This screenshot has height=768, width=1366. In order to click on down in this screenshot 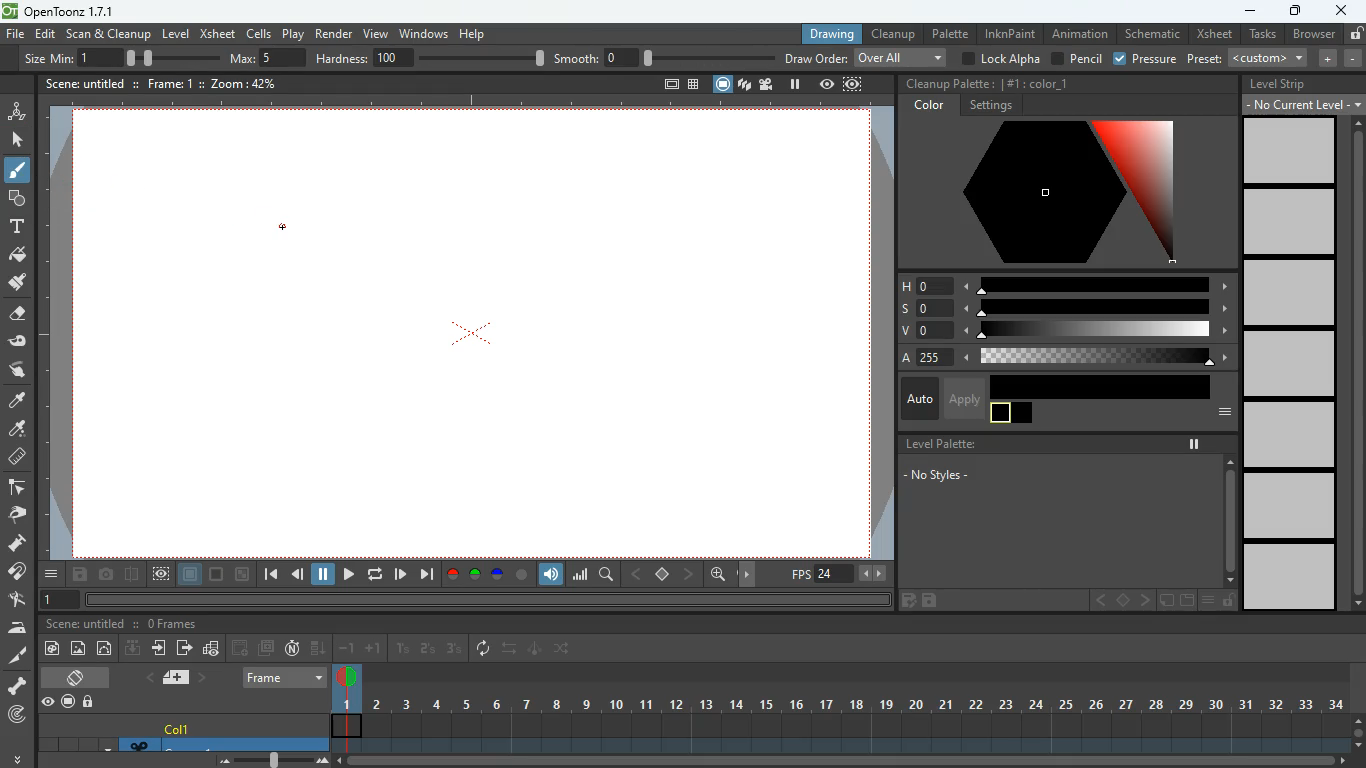, I will do `click(133, 647)`.